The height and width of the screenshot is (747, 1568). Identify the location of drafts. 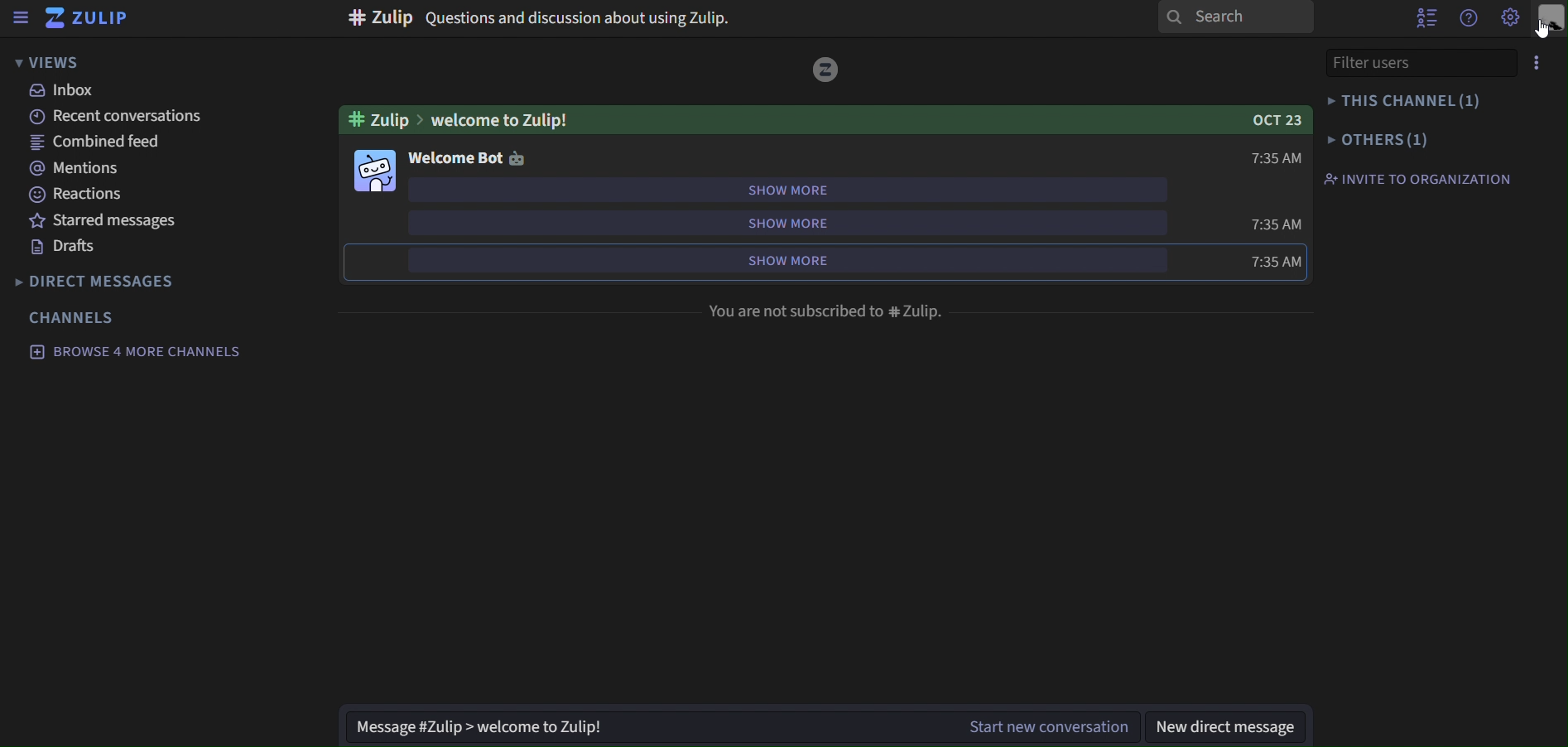
(64, 247).